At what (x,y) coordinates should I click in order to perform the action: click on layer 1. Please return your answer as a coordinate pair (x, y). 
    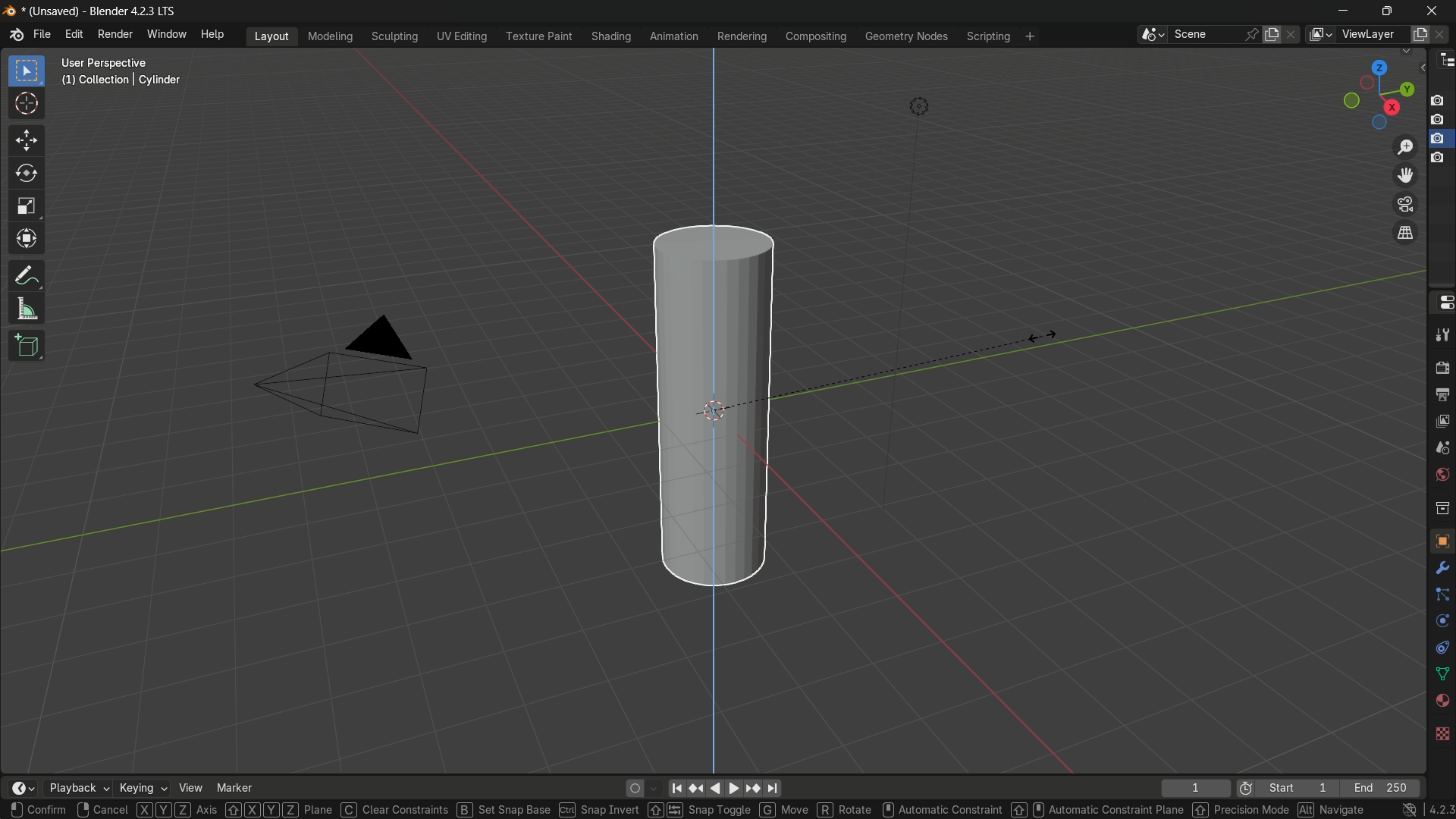
    Looking at the image, I should click on (1440, 100).